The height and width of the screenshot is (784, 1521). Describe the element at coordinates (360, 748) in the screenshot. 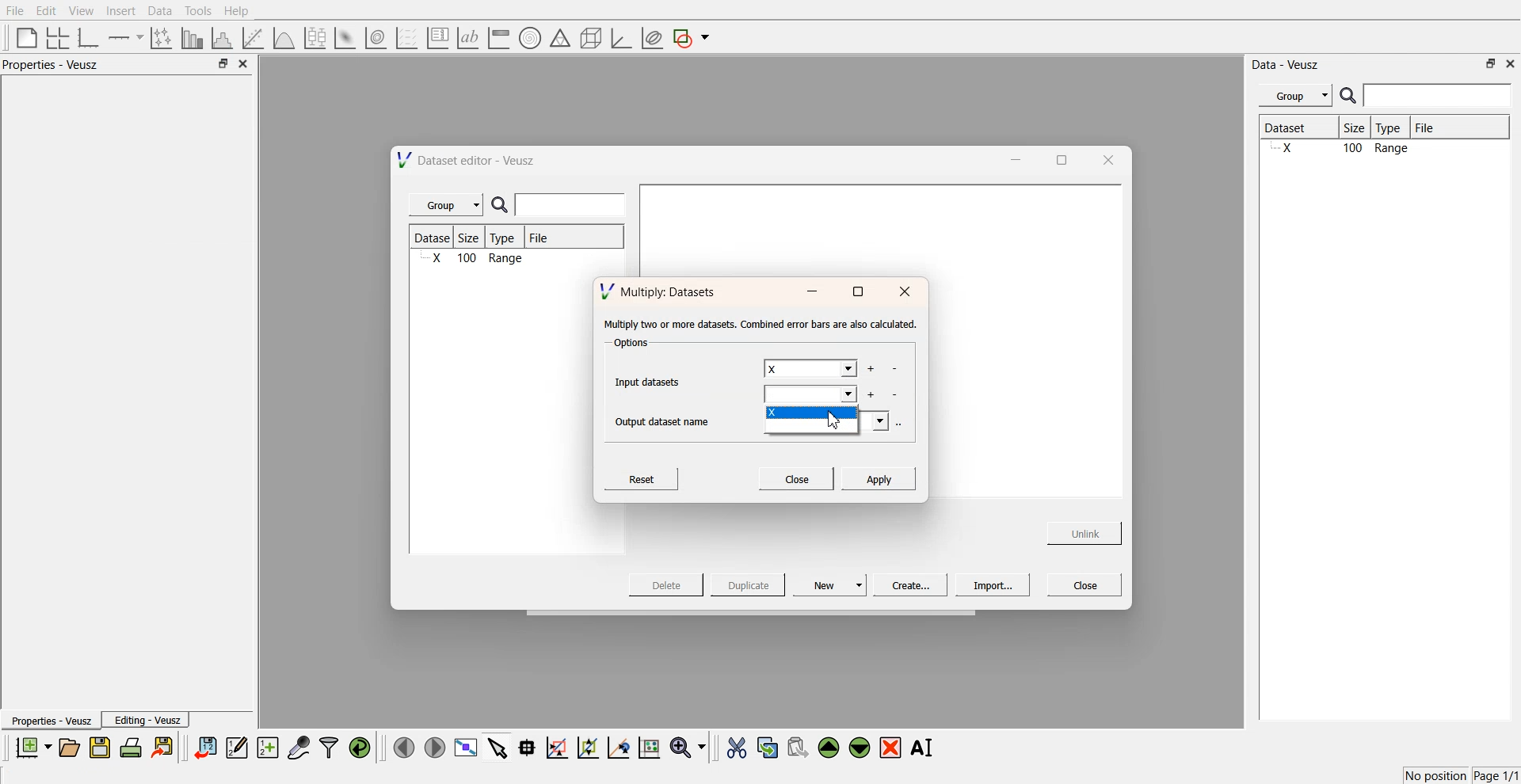

I see `reload the data points` at that location.